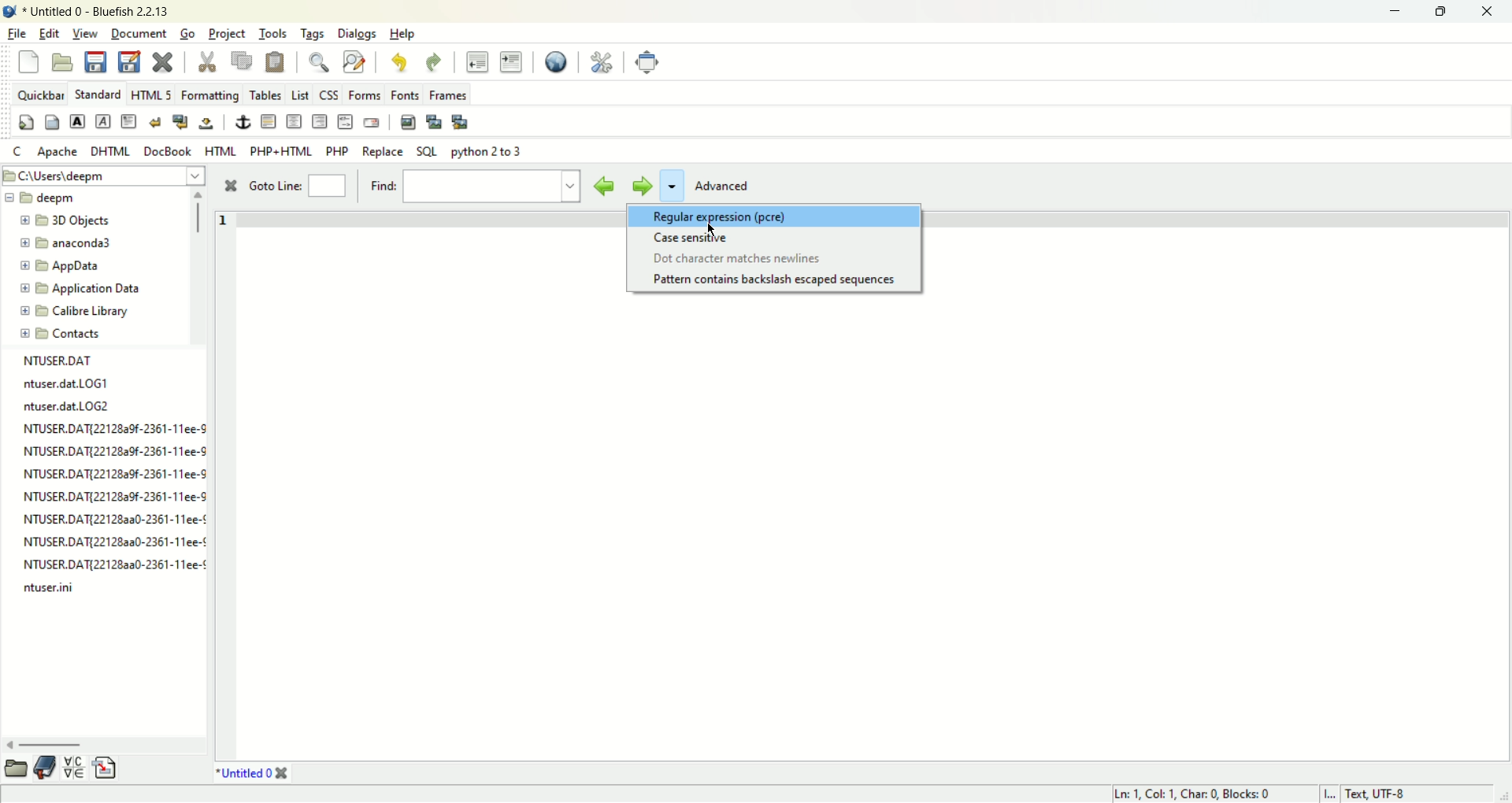  What do you see at coordinates (61, 267) in the screenshot?
I see `appdata` at bounding box center [61, 267].